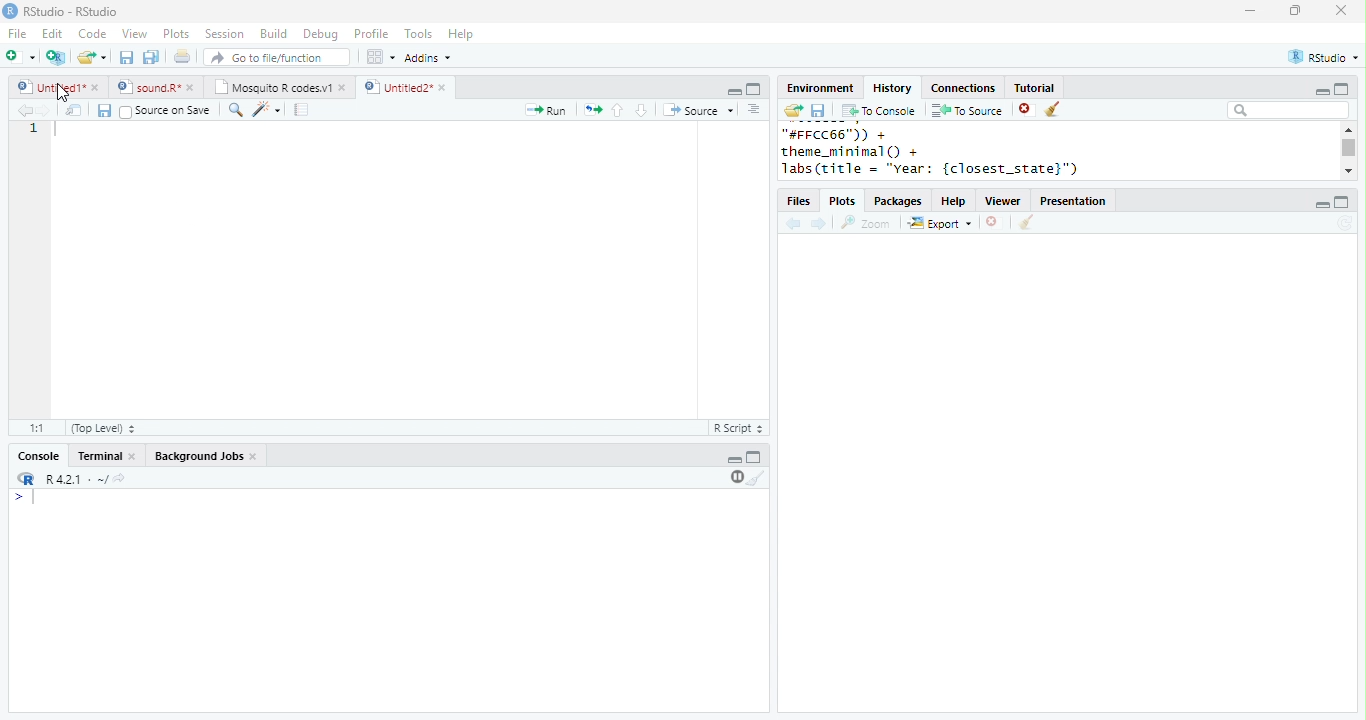 This screenshot has height=720, width=1366. What do you see at coordinates (594, 109) in the screenshot?
I see `rerun` at bounding box center [594, 109].